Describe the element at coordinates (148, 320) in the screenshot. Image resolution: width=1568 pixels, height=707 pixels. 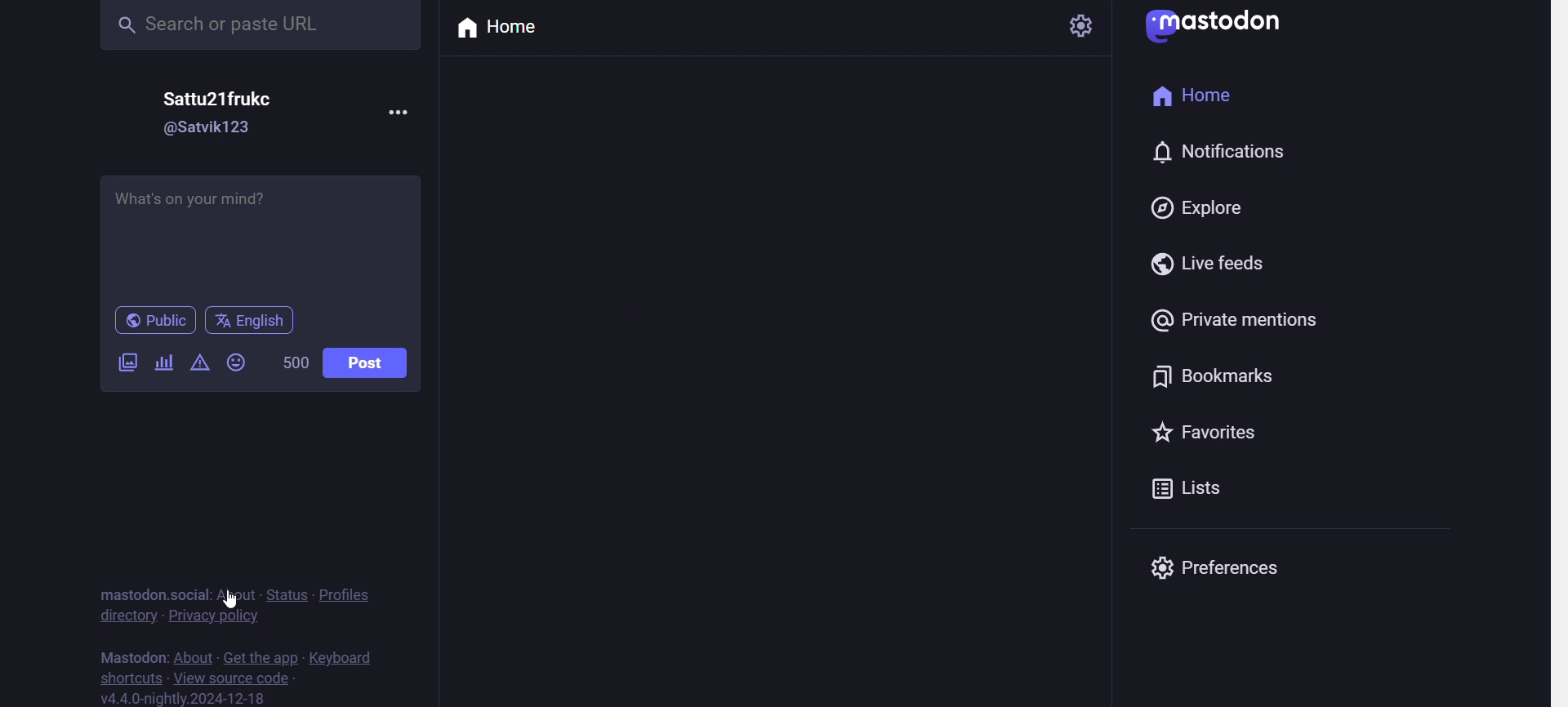
I see `public` at that location.